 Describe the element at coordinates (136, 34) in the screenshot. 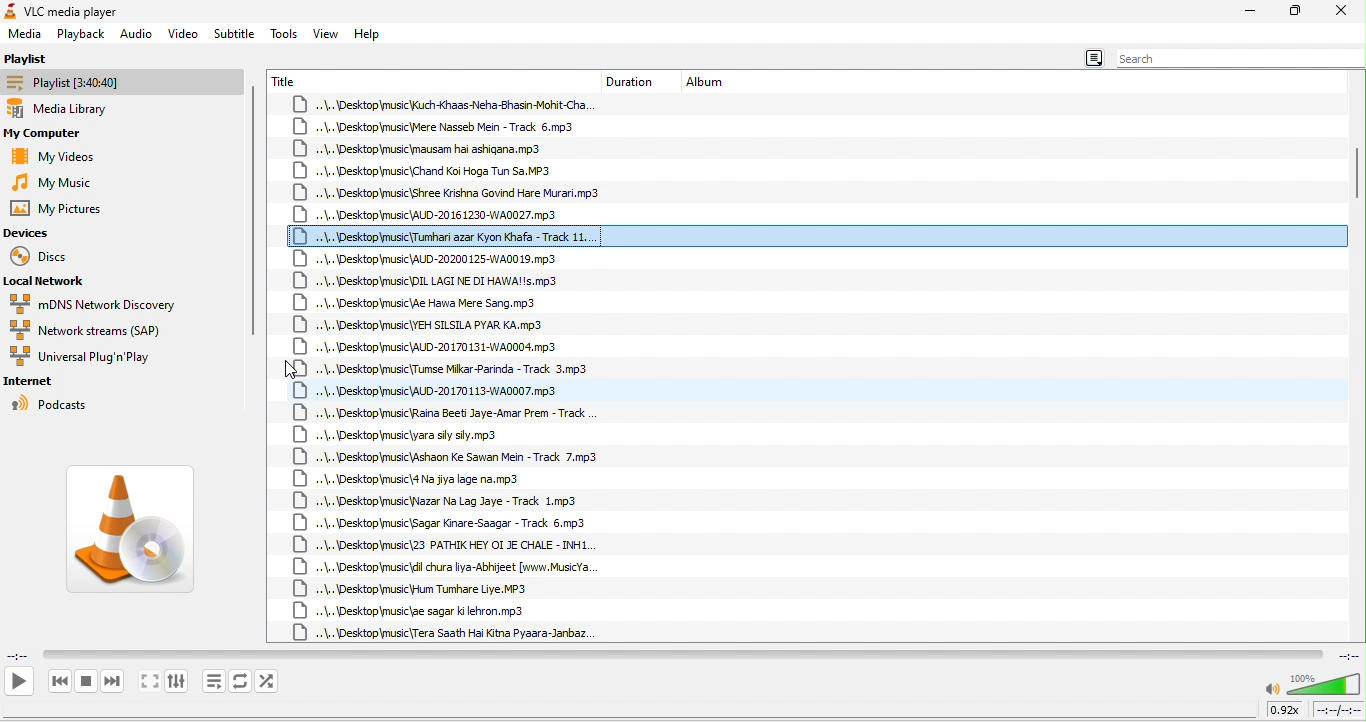

I see `audio` at that location.